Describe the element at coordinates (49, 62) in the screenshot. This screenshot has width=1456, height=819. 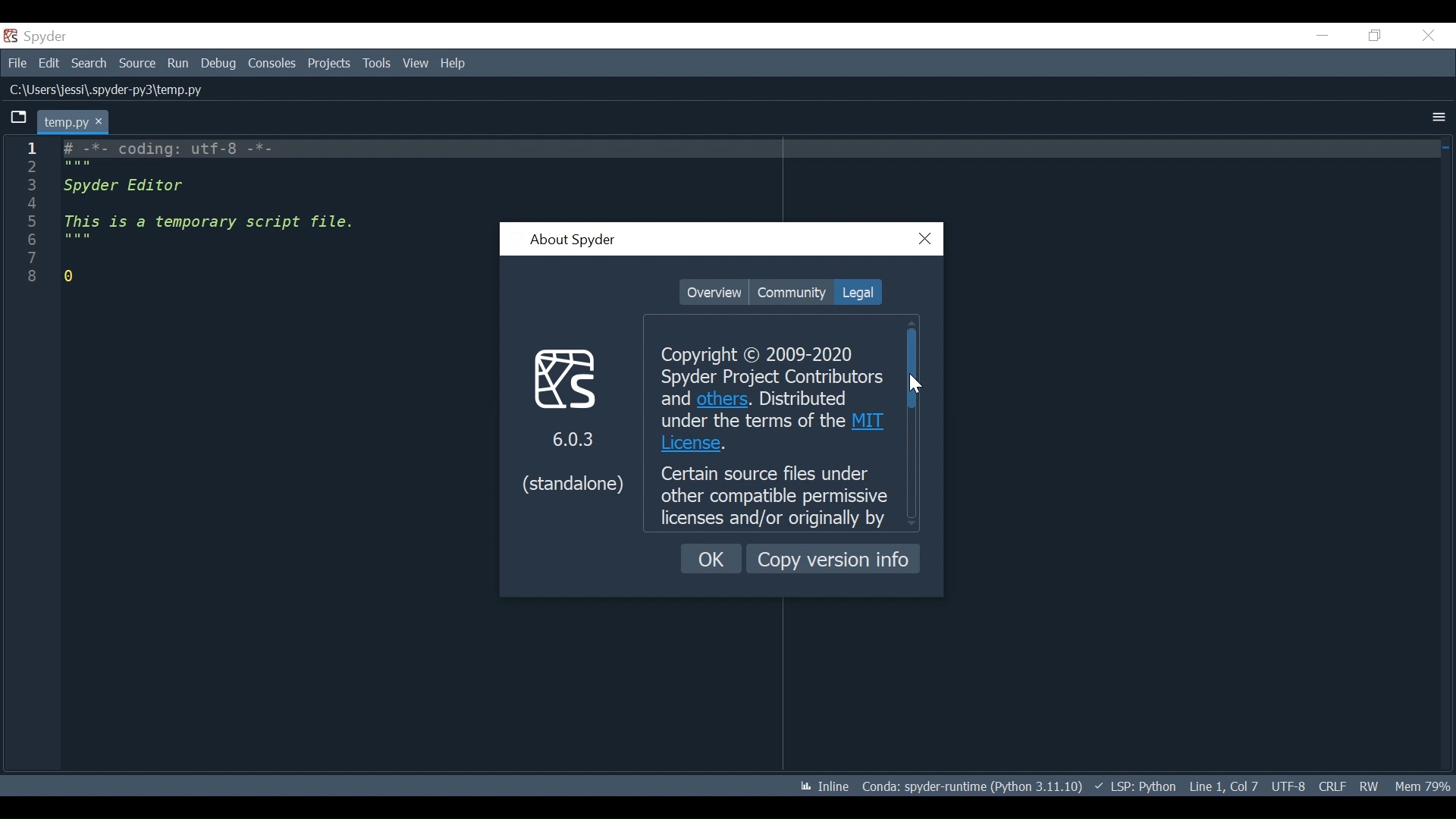
I see `Edit` at that location.